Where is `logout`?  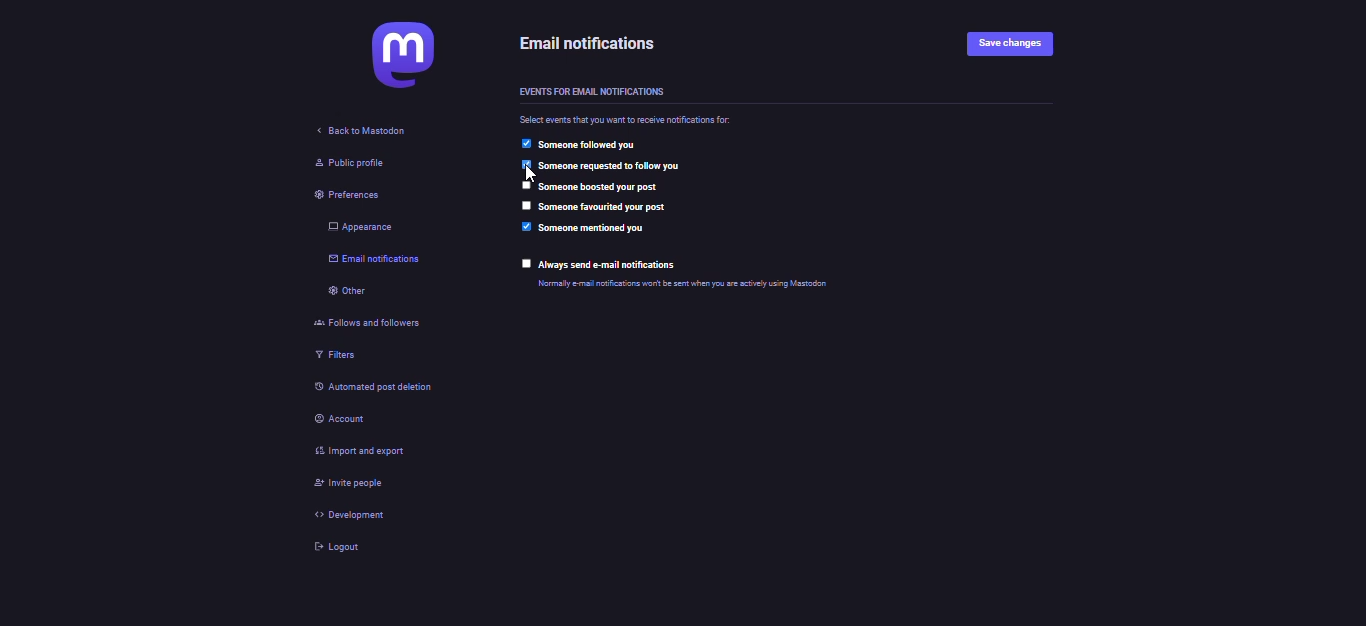 logout is located at coordinates (327, 548).